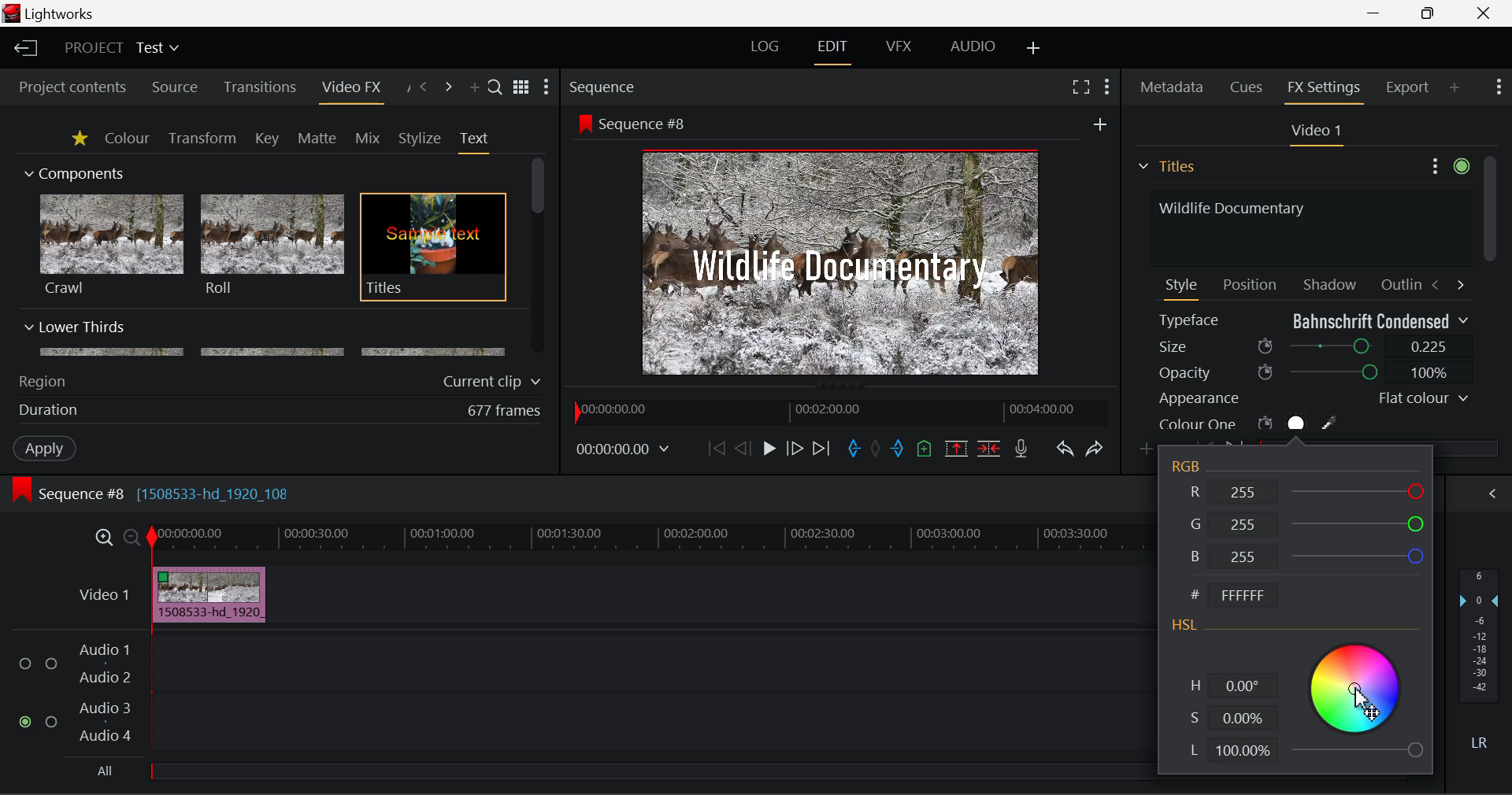  Describe the element at coordinates (1499, 85) in the screenshot. I see `Show Settings` at that location.